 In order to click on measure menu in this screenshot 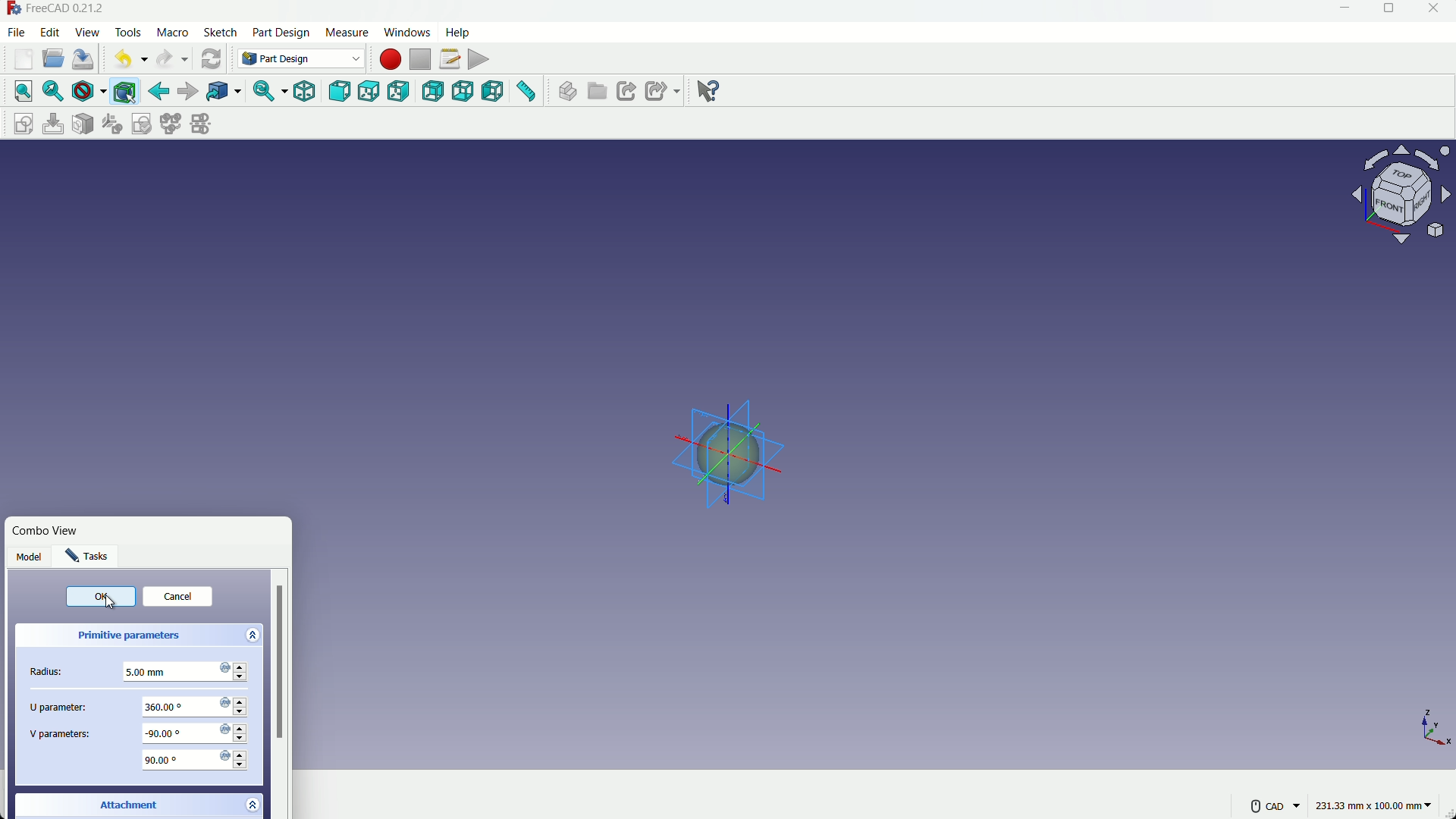, I will do `click(347, 33)`.